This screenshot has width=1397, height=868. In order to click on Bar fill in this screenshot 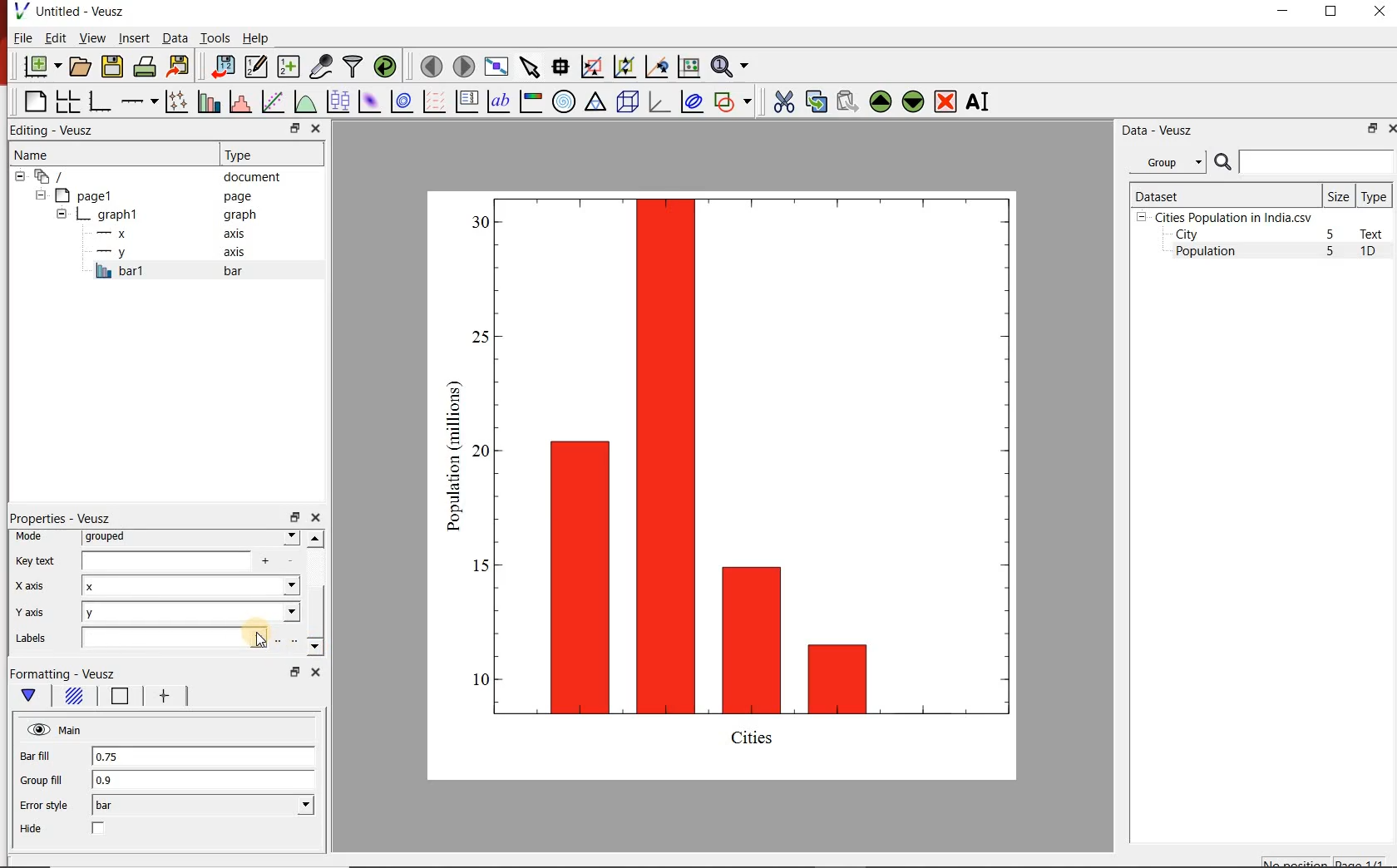, I will do `click(47, 757)`.